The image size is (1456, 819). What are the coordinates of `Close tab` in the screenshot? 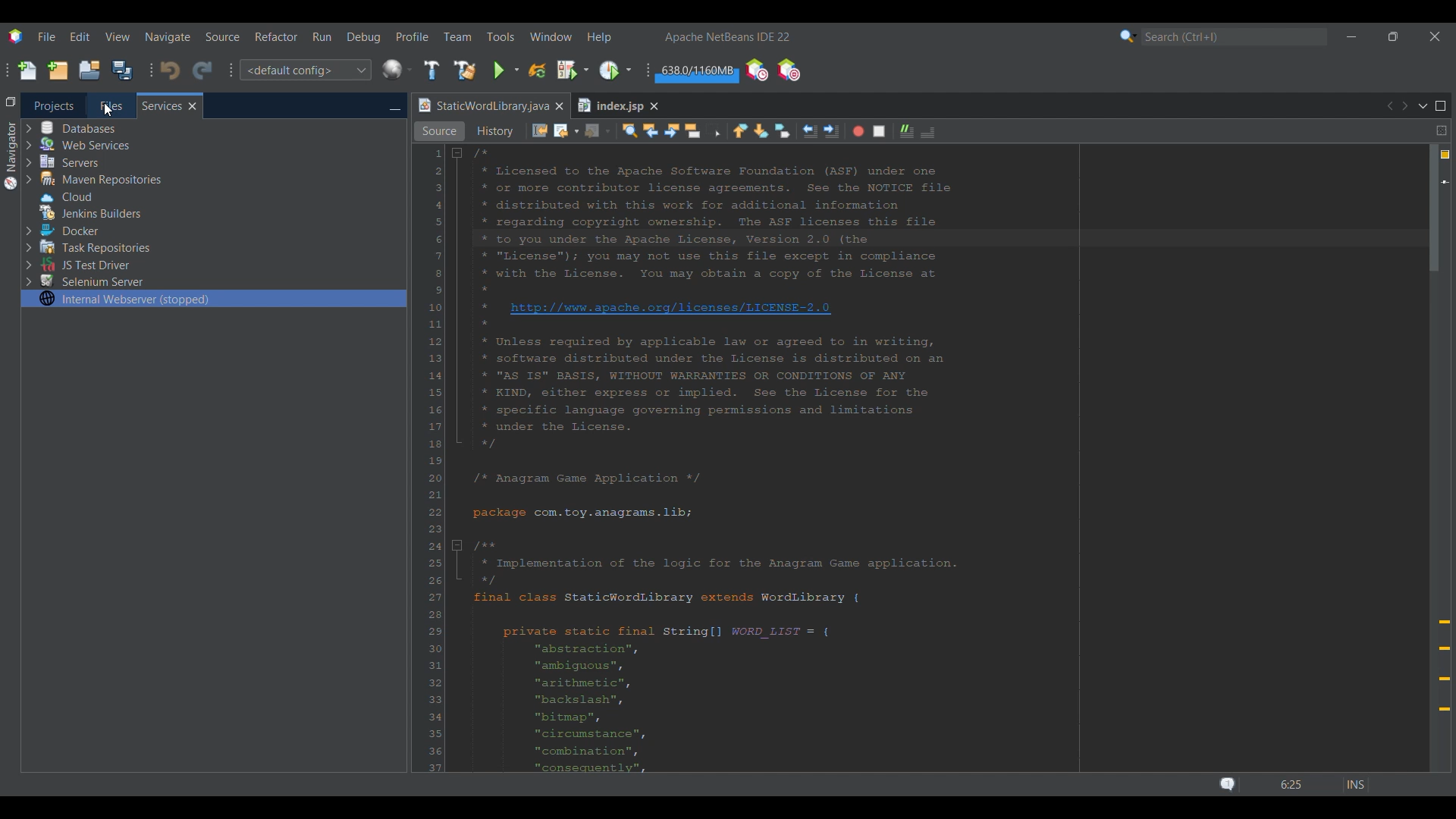 It's located at (193, 106).